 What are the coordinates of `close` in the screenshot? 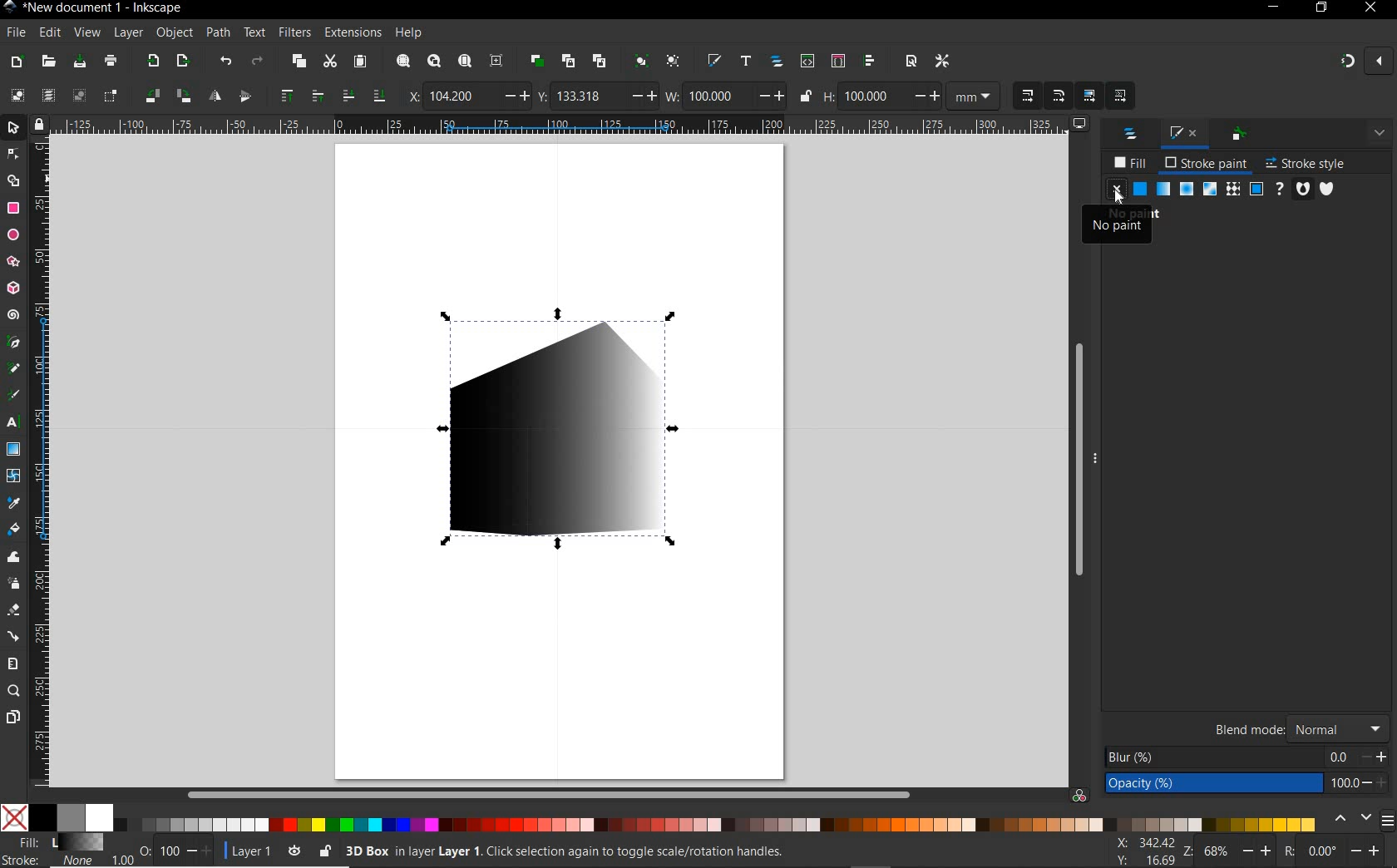 It's located at (1381, 62).